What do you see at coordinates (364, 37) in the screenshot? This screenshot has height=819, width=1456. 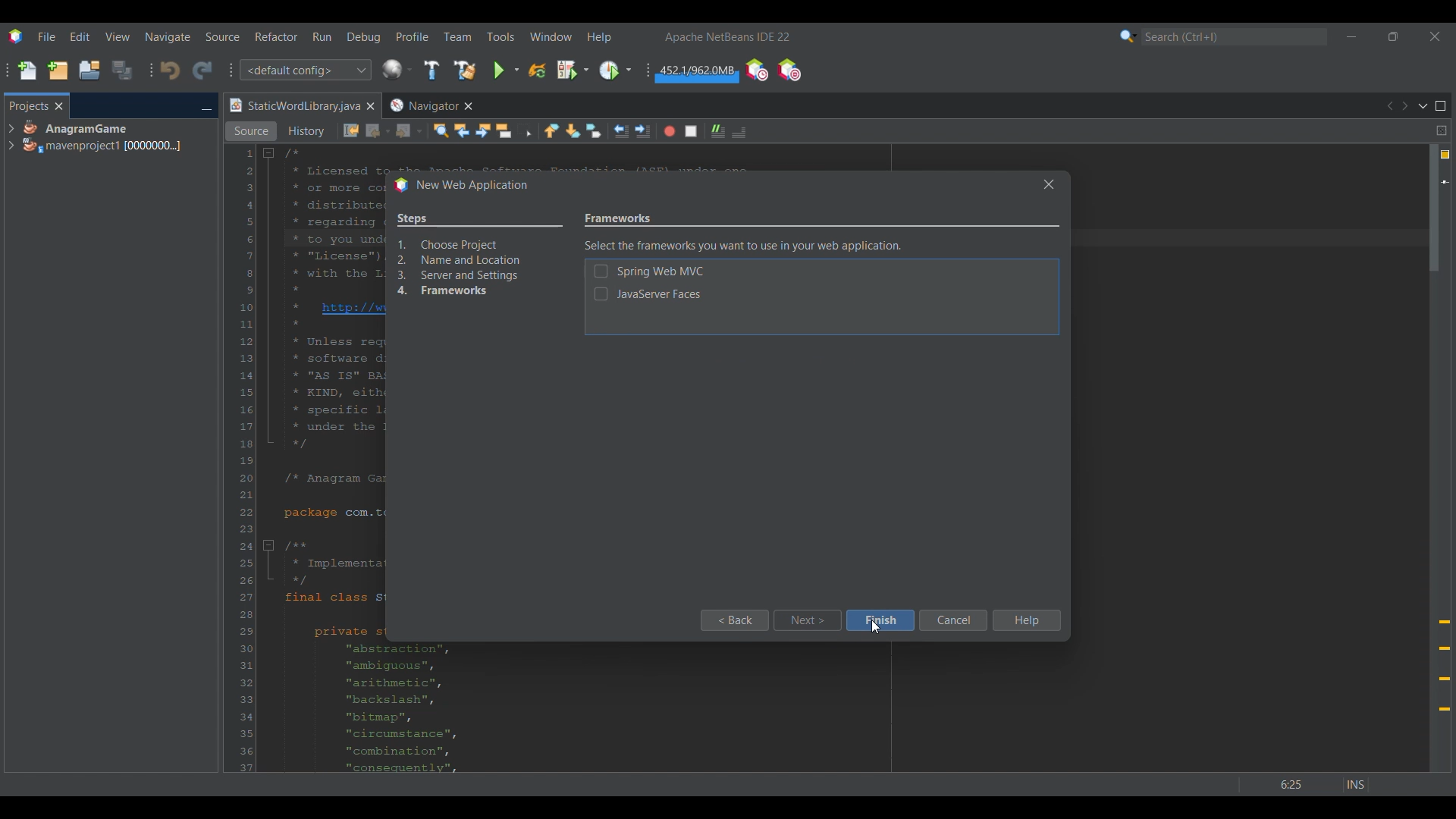 I see `Debug menu` at bounding box center [364, 37].